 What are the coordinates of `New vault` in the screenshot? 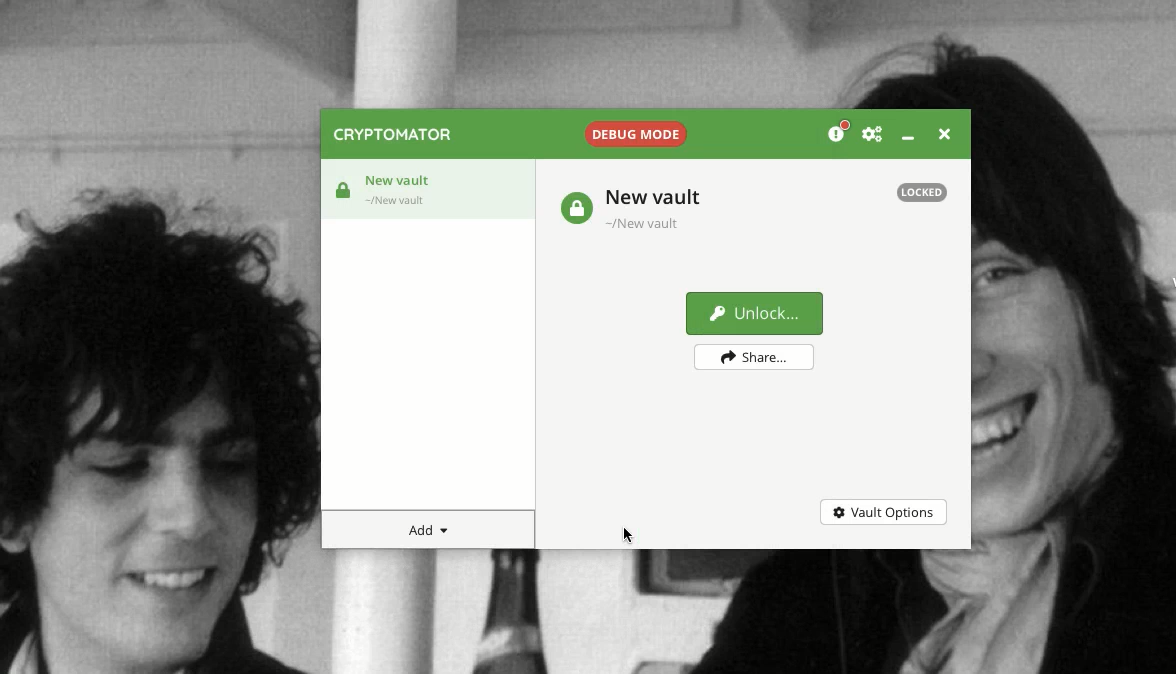 It's located at (431, 189).